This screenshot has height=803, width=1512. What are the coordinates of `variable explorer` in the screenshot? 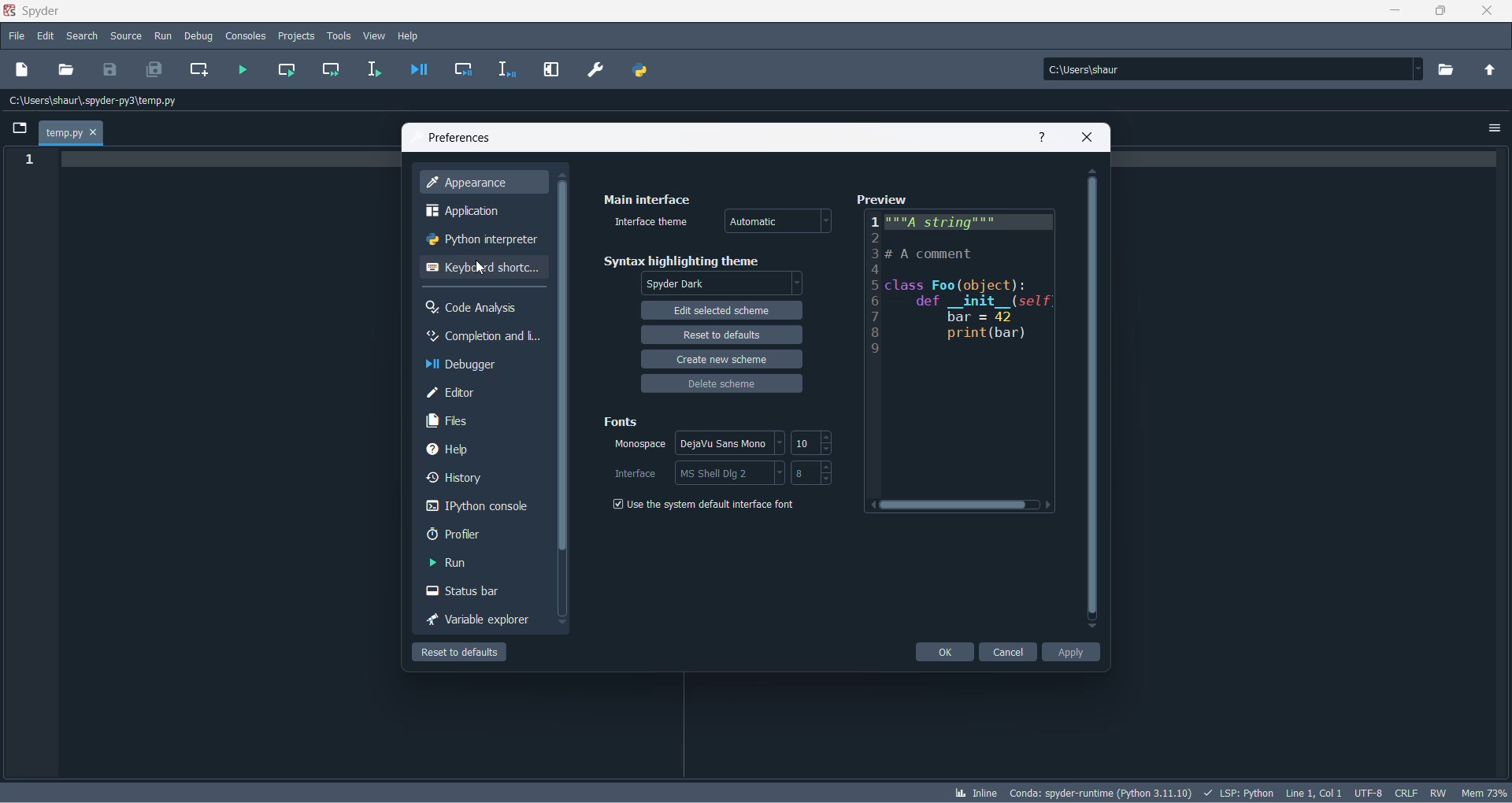 It's located at (479, 620).